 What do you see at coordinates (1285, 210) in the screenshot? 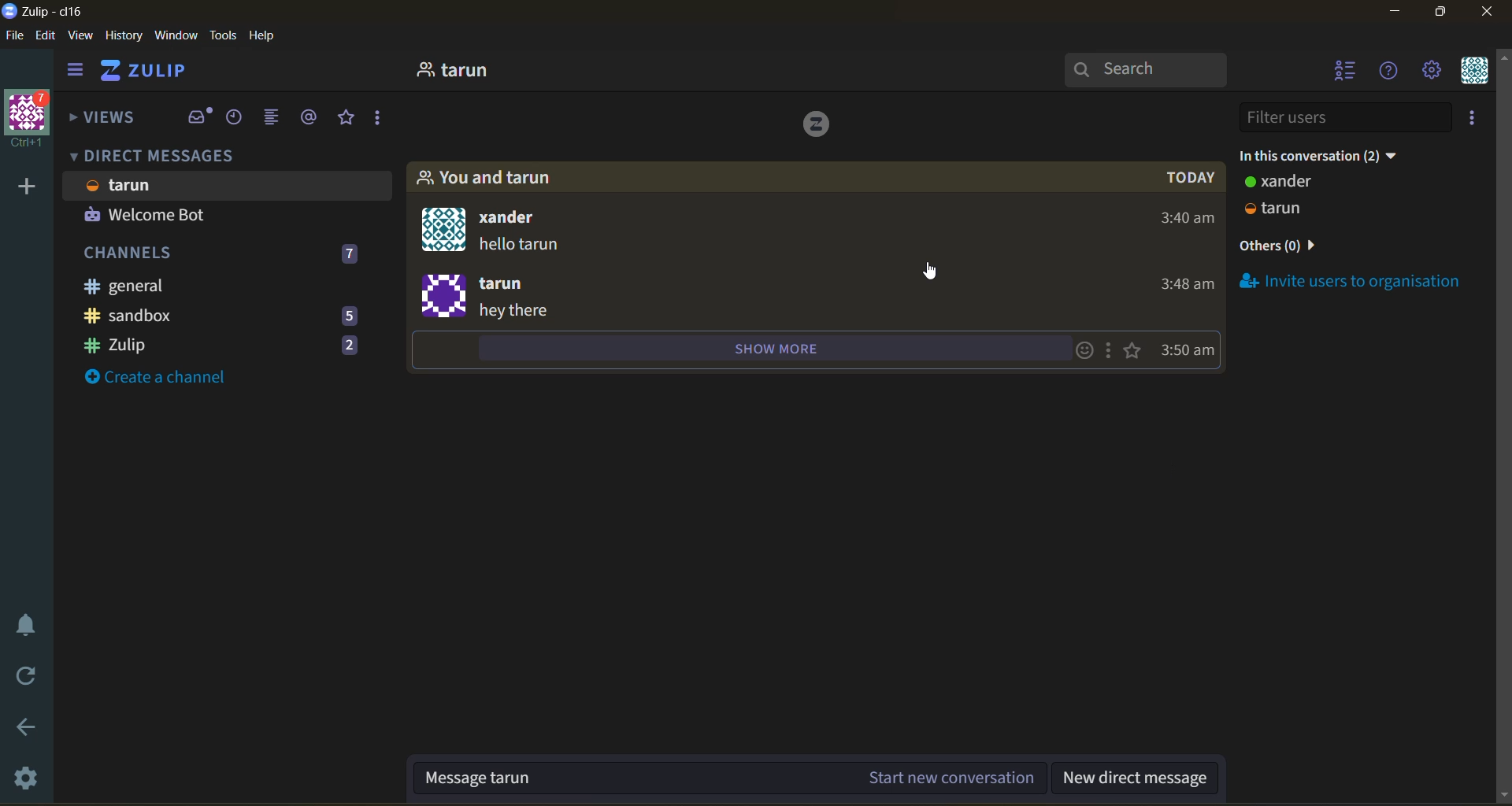
I see `user 2` at bounding box center [1285, 210].